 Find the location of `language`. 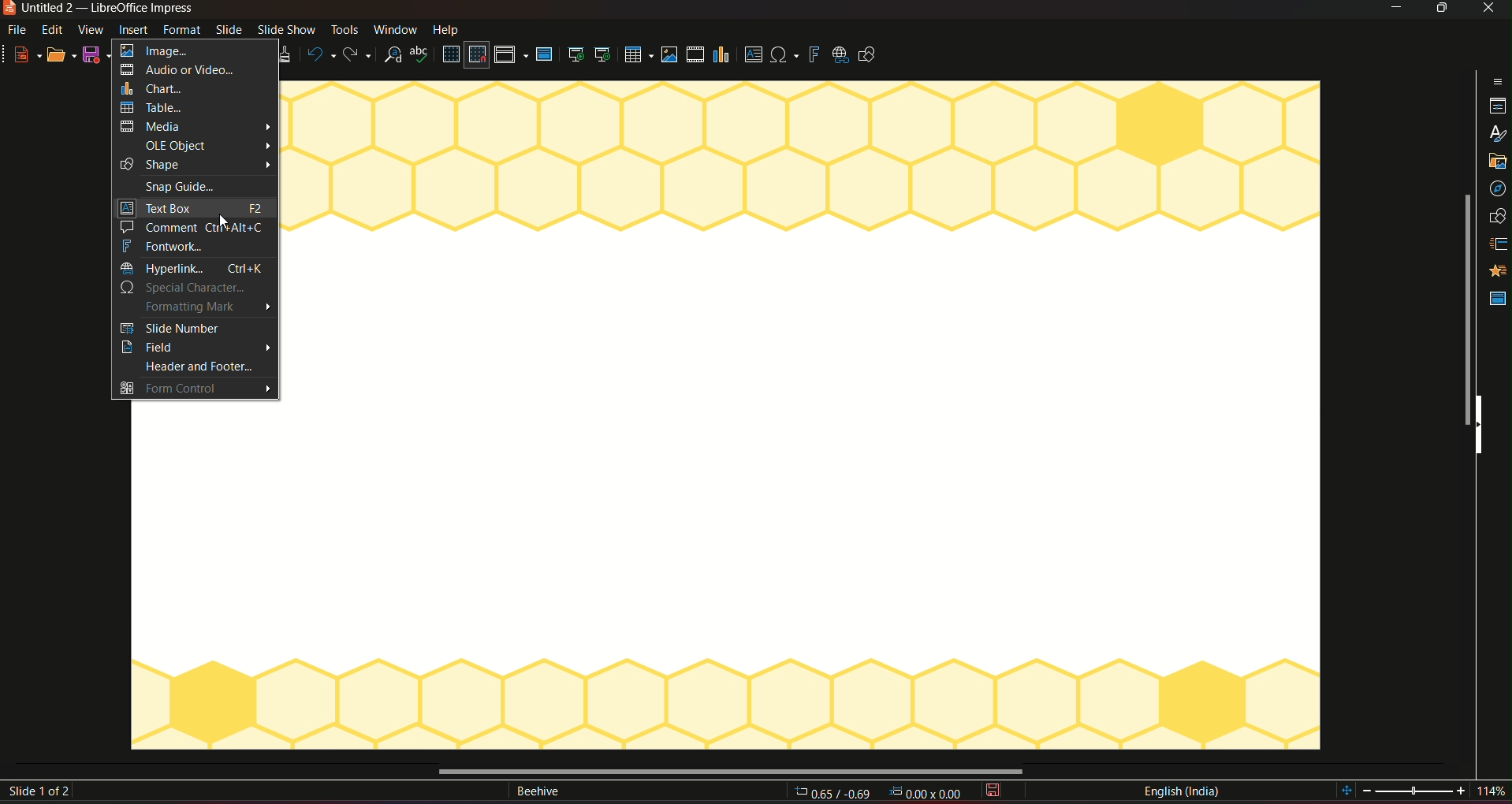

language is located at coordinates (1181, 791).